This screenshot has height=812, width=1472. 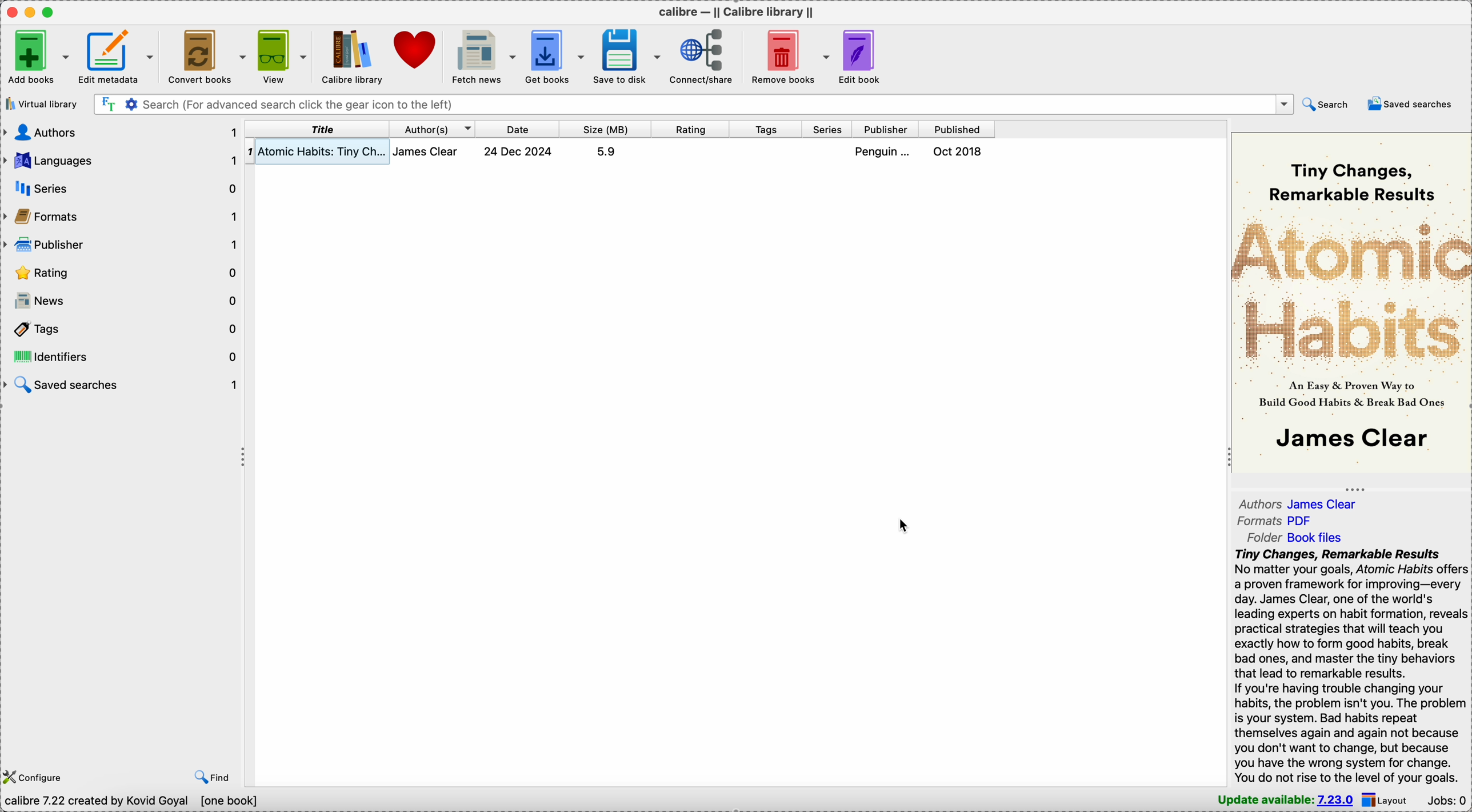 I want to click on fetch news, so click(x=485, y=55).